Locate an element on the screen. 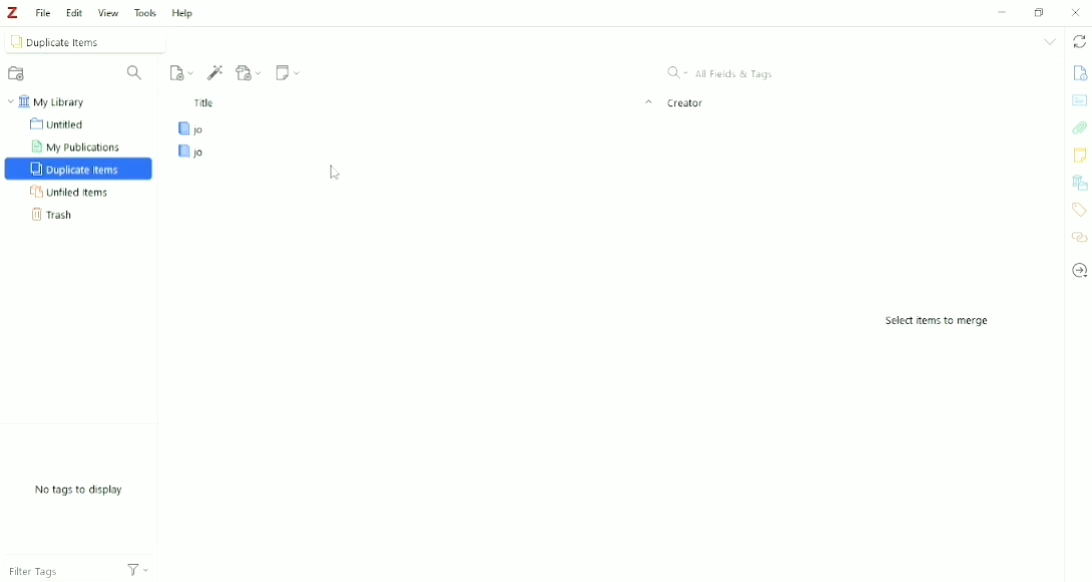 This screenshot has height=582, width=1092. jo is located at coordinates (486, 151).